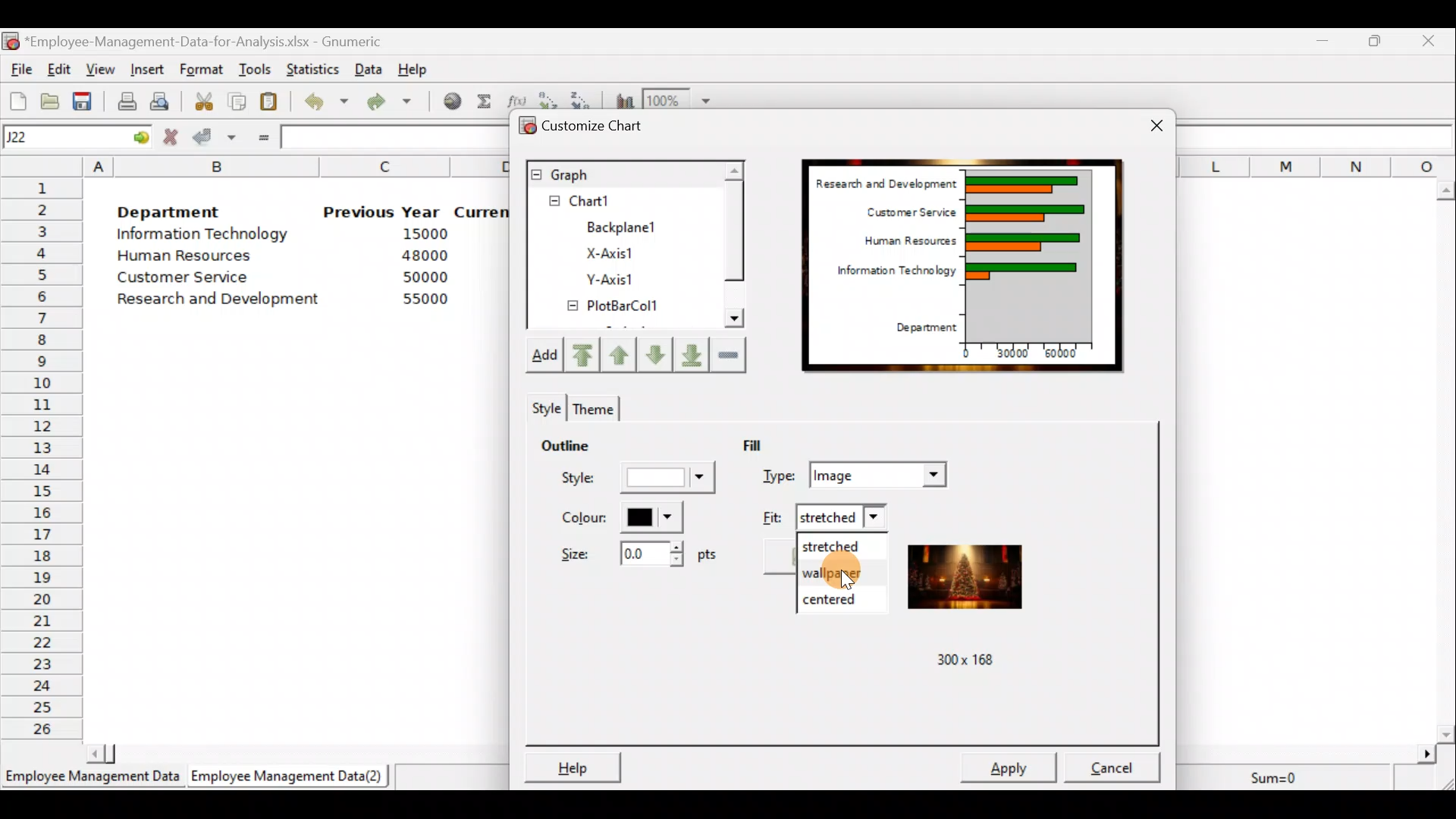 The image size is (1456, 819). I want to click on 30000, so click(1016, 354).